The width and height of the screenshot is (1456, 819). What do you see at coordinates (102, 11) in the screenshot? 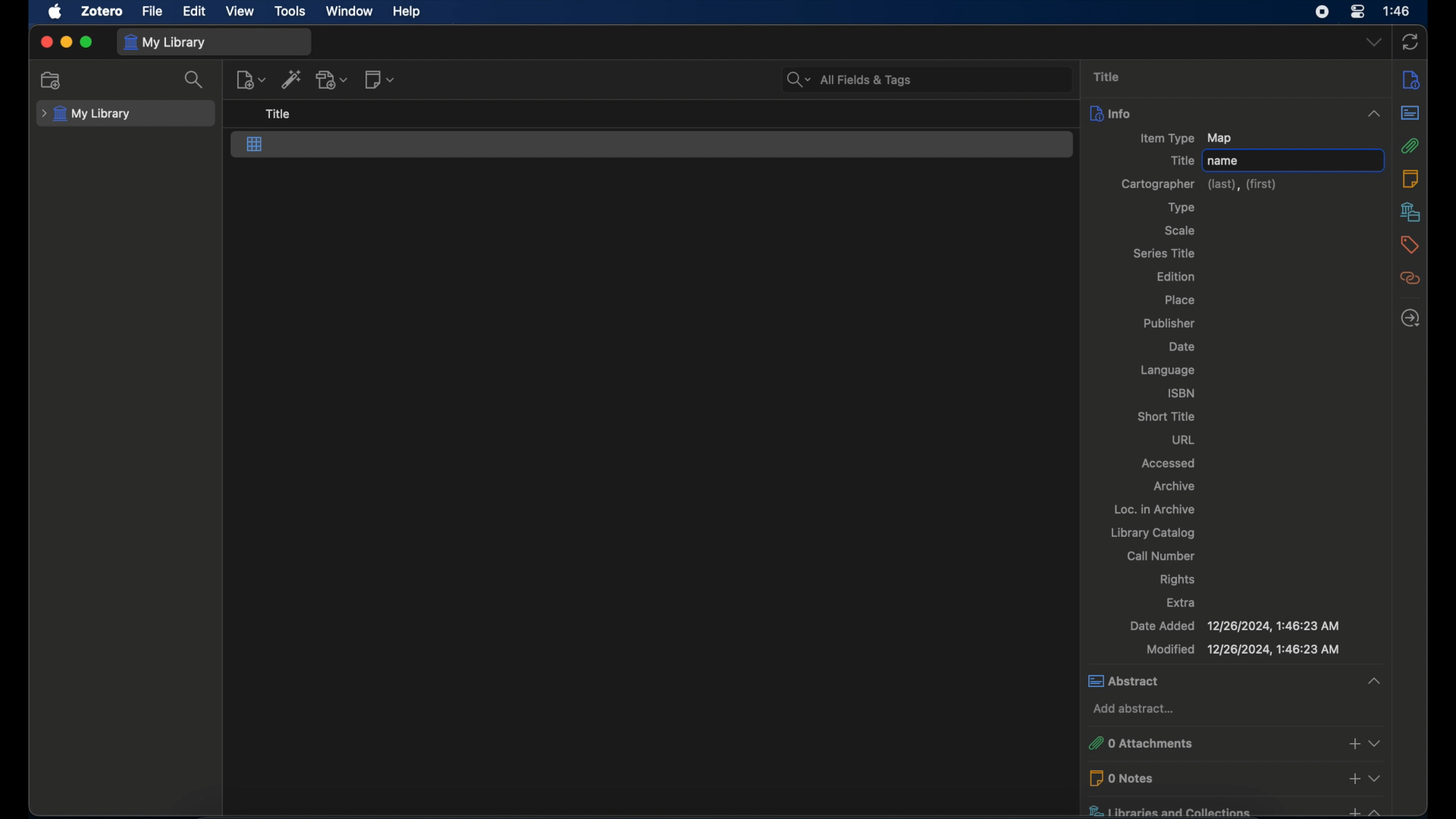
I see `zotero` at bounding box center [102, 11].